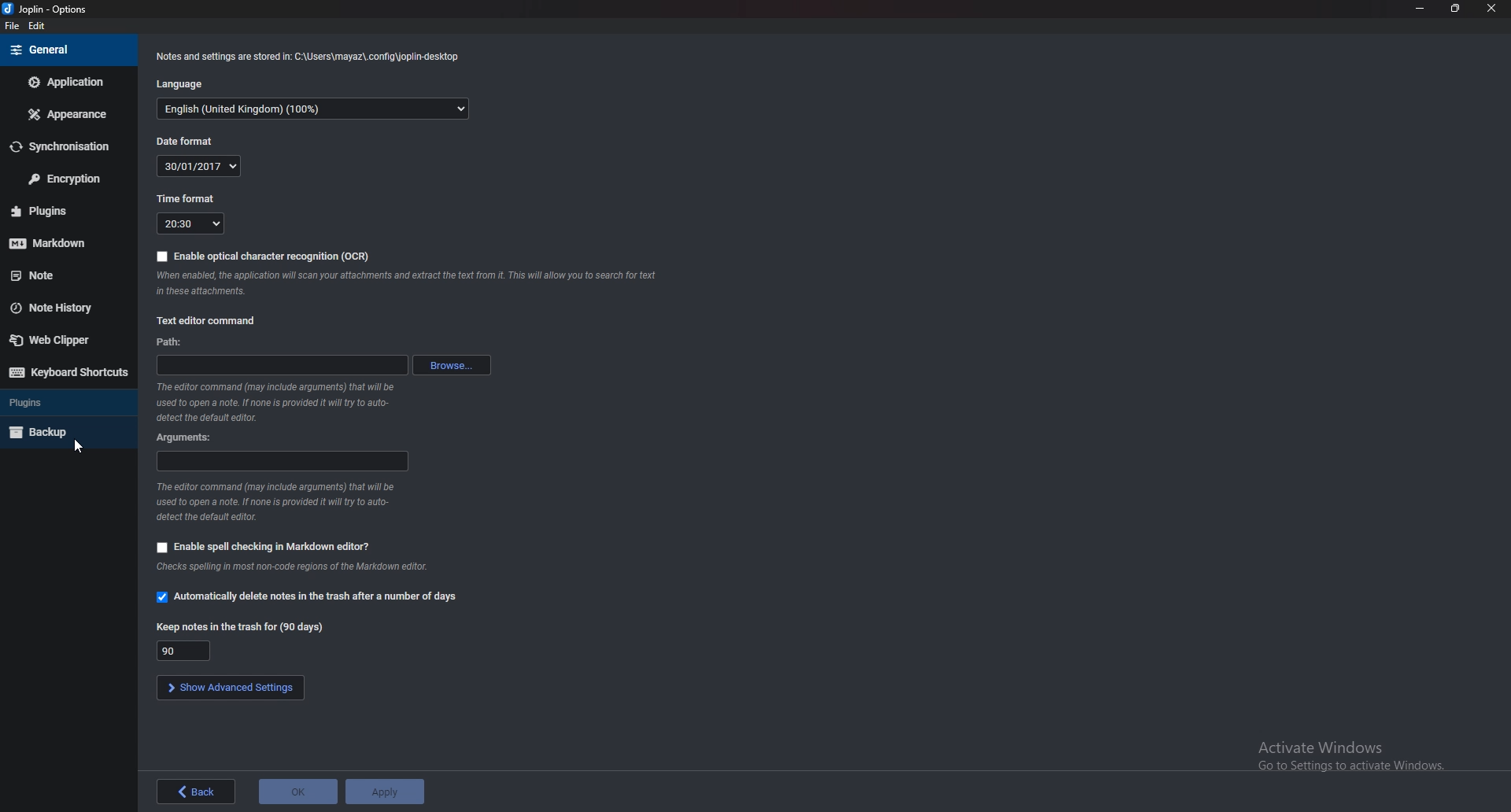 The image size is (1511, 812). I want to click on Browse, so click(453, 365).